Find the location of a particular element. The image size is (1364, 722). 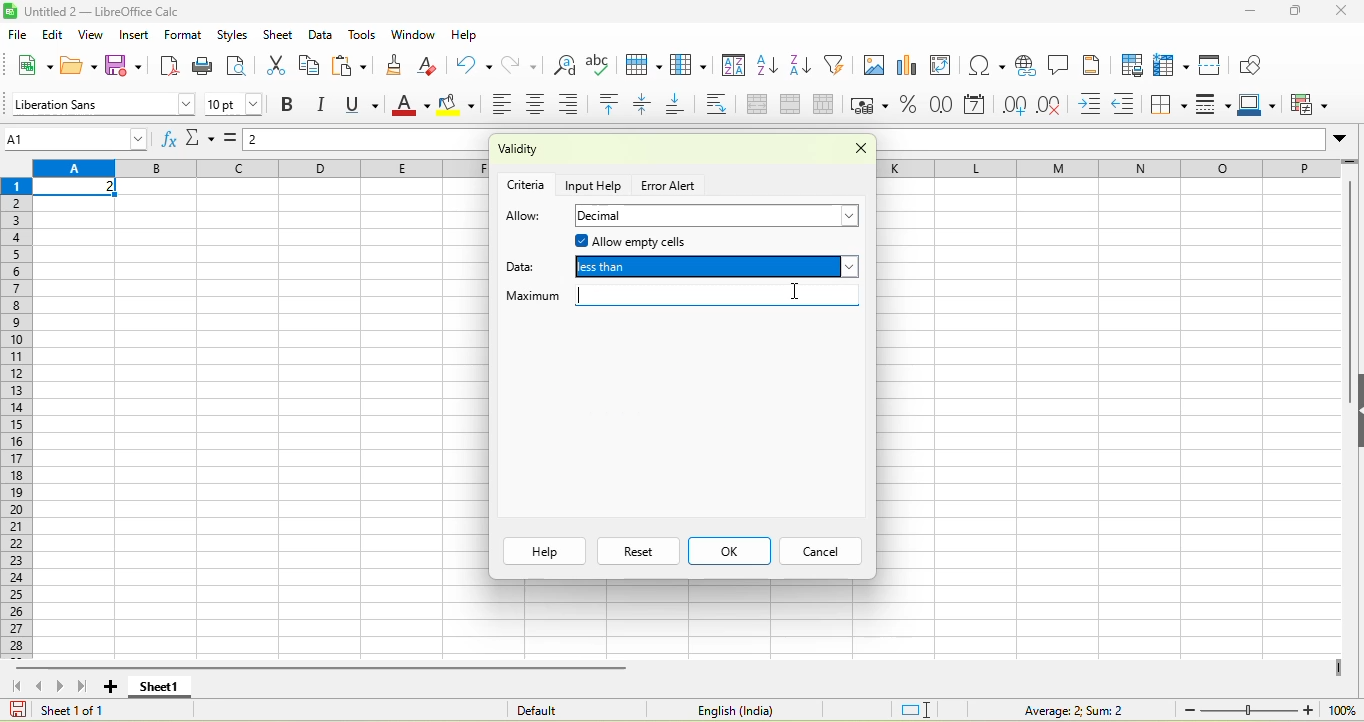

align top is located at coordinates (612, 105).